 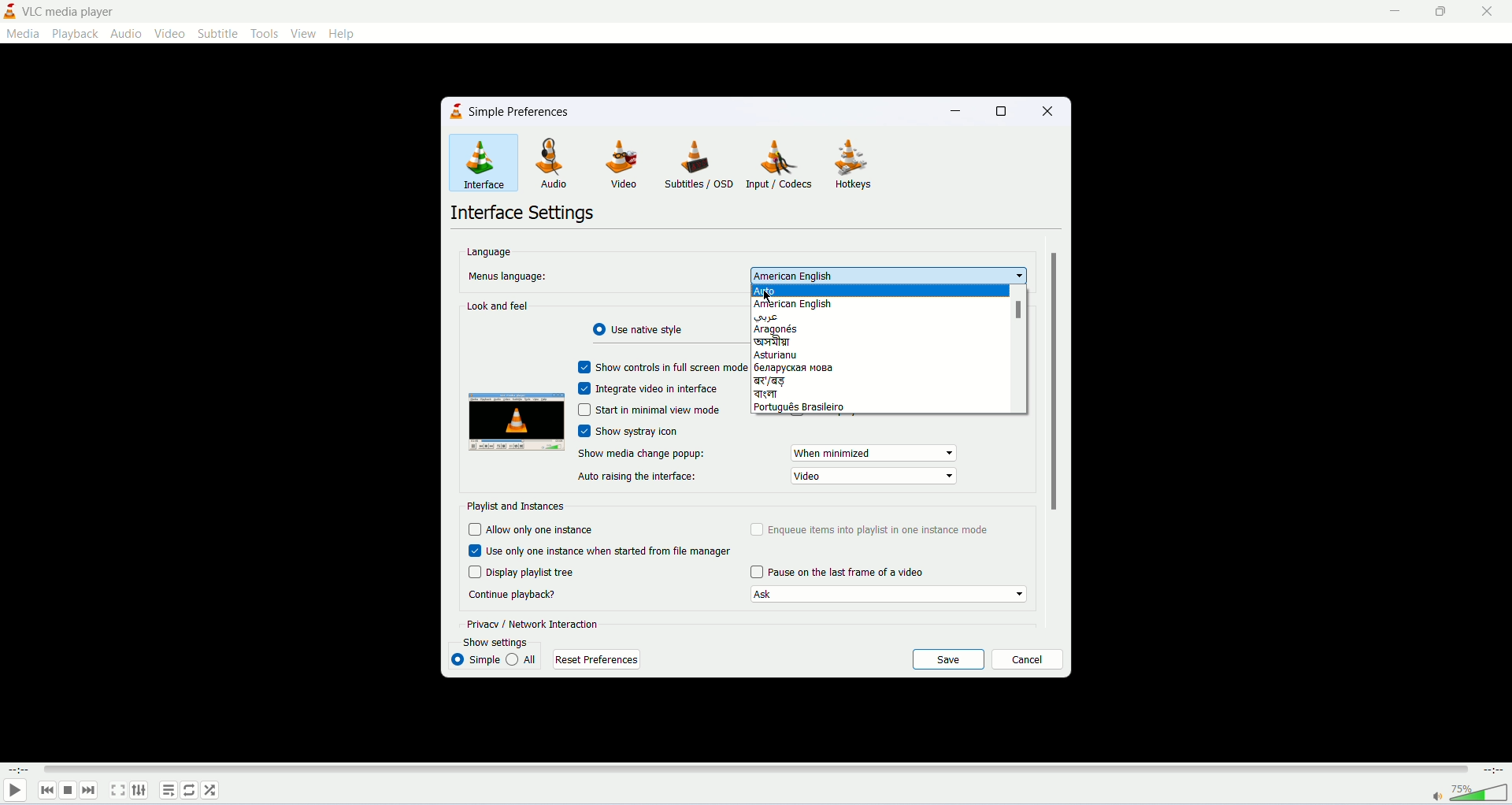 I want to click on vertical scroll bar, so click(x=1054, y=380).